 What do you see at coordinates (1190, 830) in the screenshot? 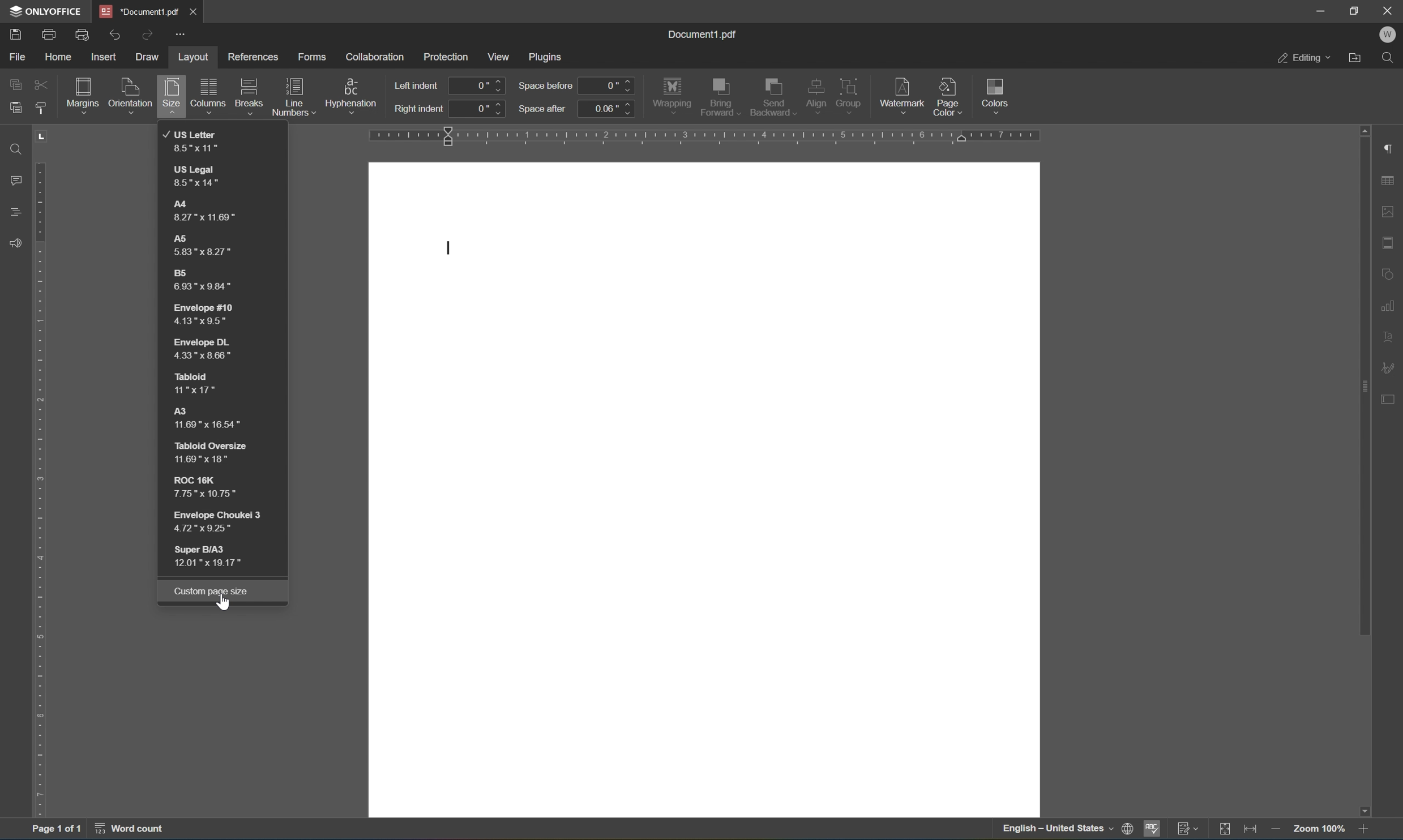
I see `track changes` at bounding box center [1190, 830].